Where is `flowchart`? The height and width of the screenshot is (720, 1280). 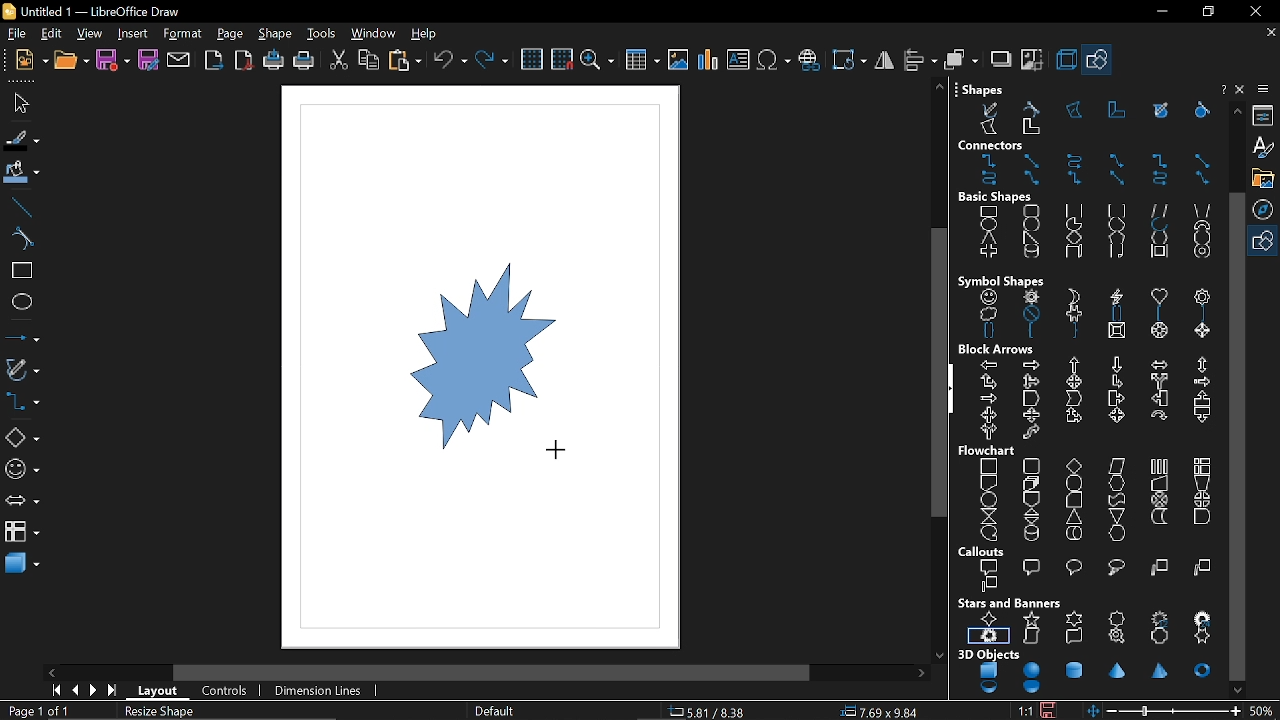 flowchart is located at coordinates (22, 532).